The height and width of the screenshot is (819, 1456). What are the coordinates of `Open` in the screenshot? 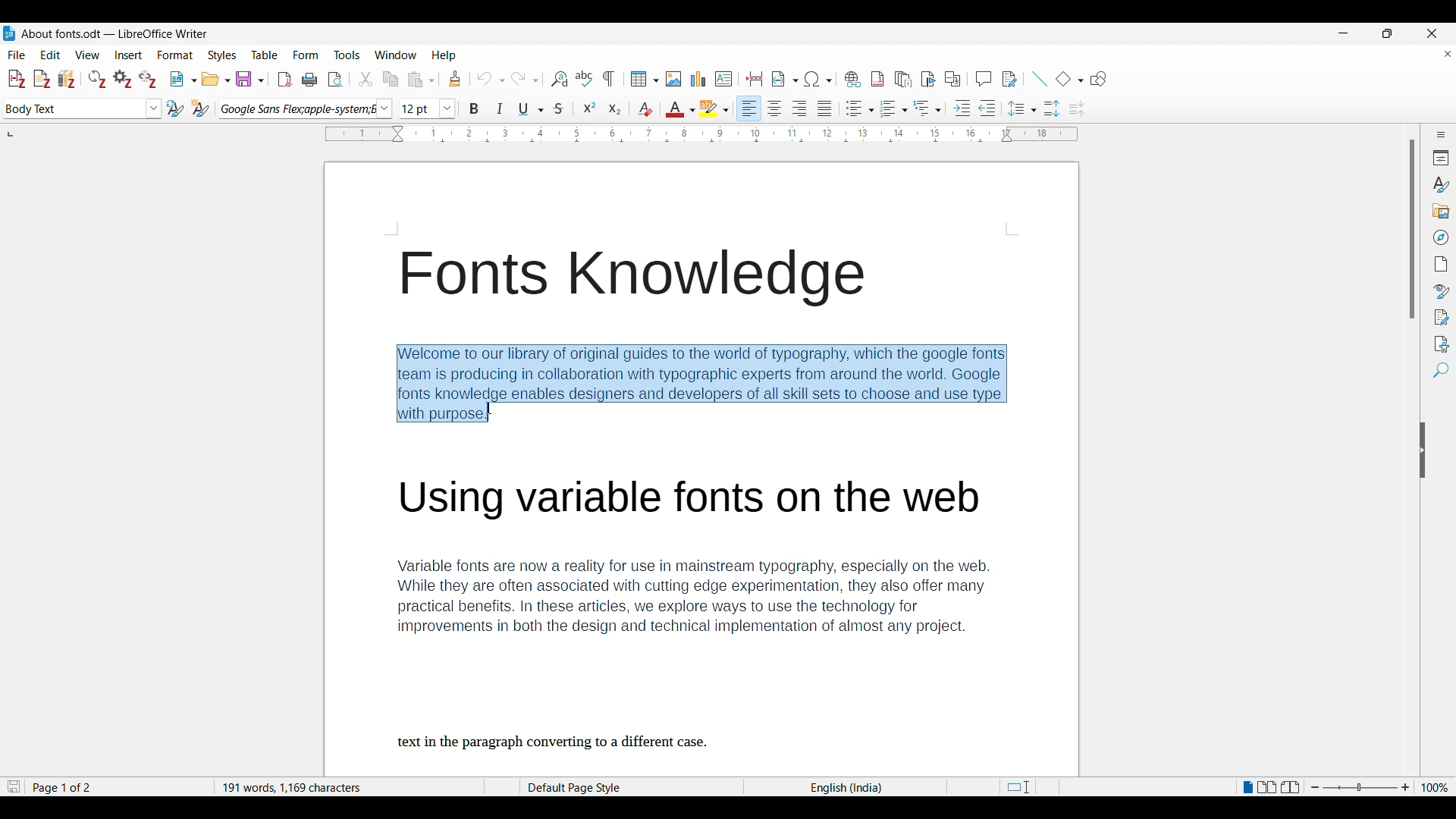 It's located at (216, 79).